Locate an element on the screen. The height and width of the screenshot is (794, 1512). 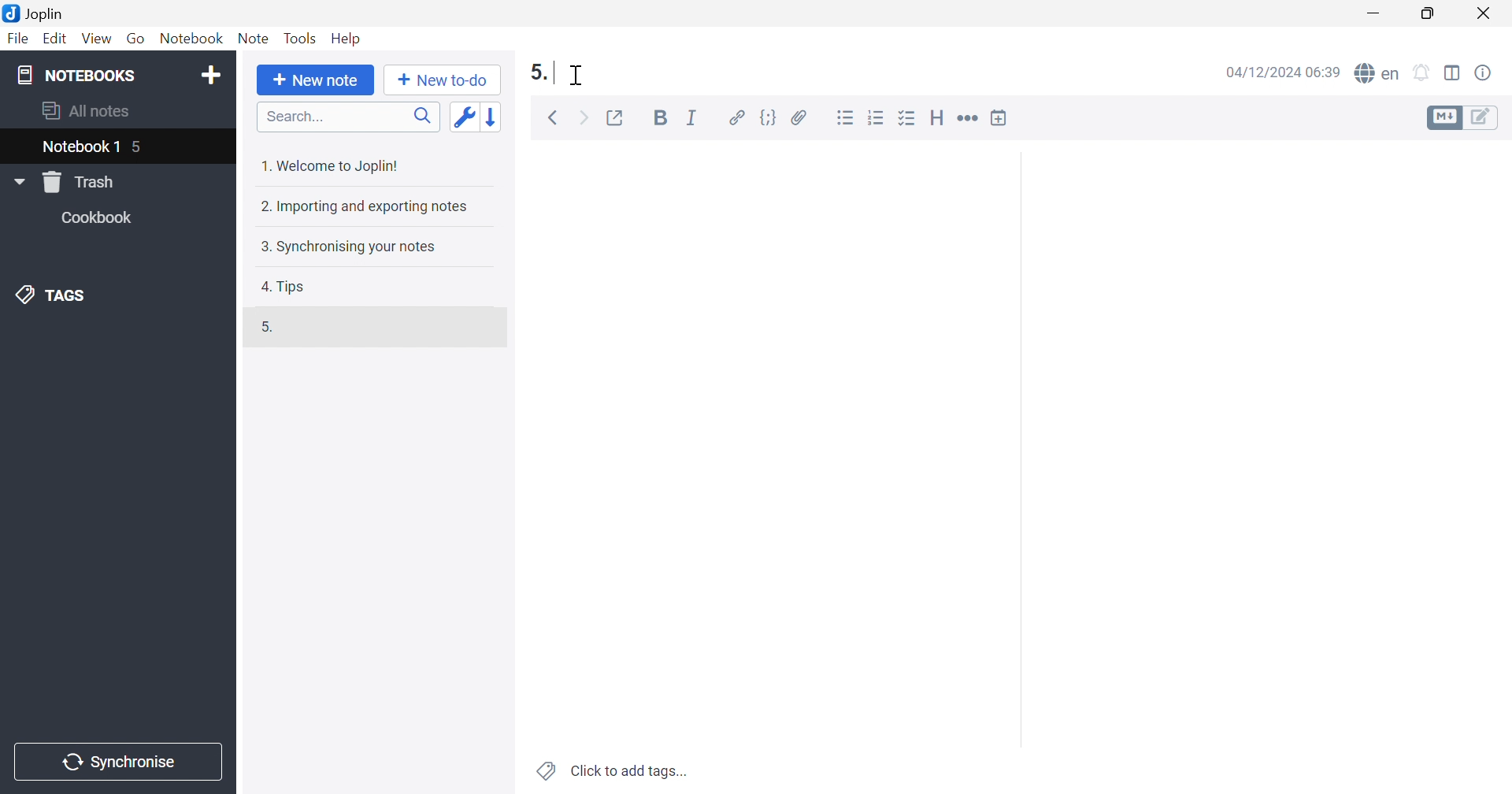
Add notebook is located at coordinates (212, 74).